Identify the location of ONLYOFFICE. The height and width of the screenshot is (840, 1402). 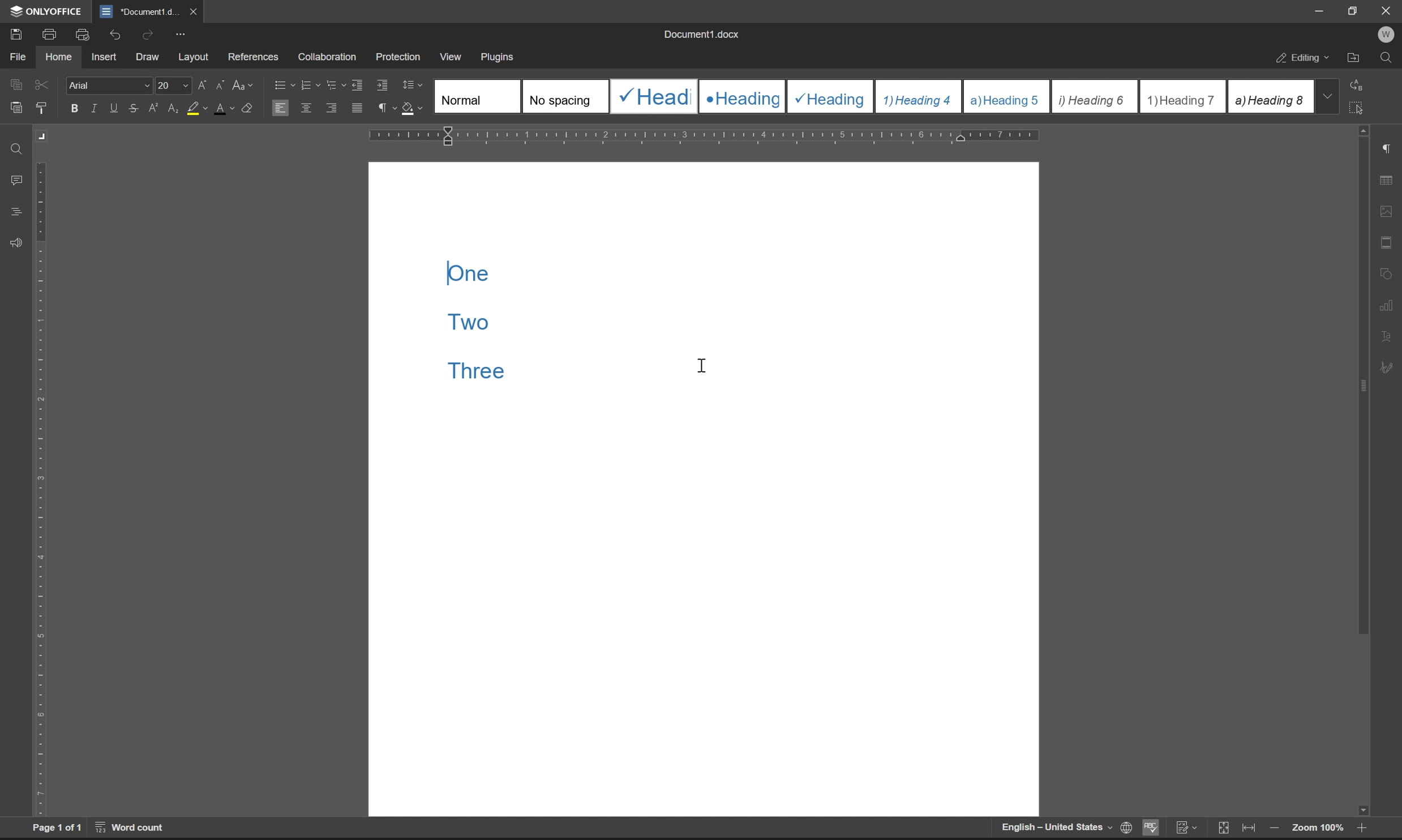
(48, 11).